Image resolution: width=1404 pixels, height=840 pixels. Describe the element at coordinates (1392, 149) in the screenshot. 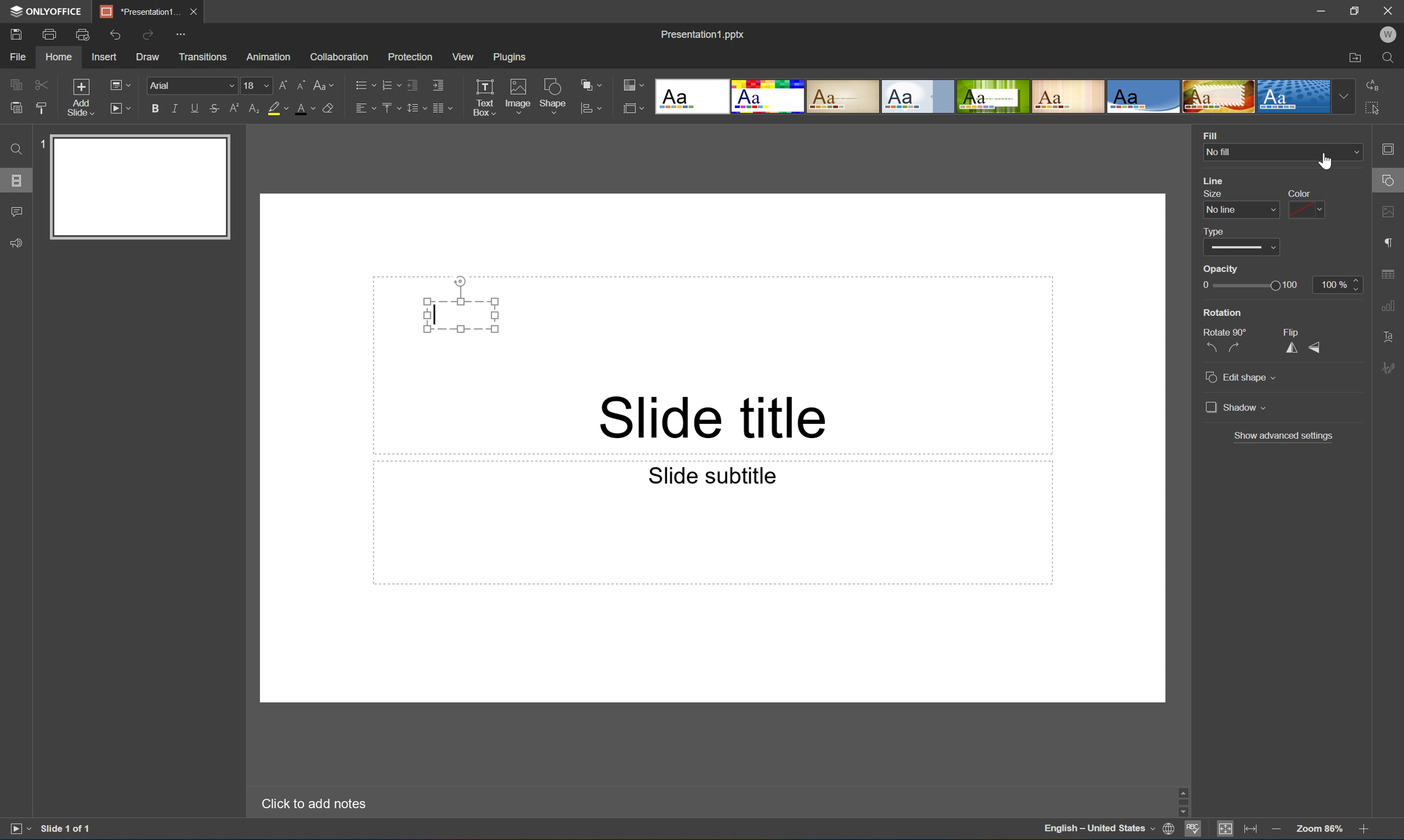

I see `Slide settings` at that location.